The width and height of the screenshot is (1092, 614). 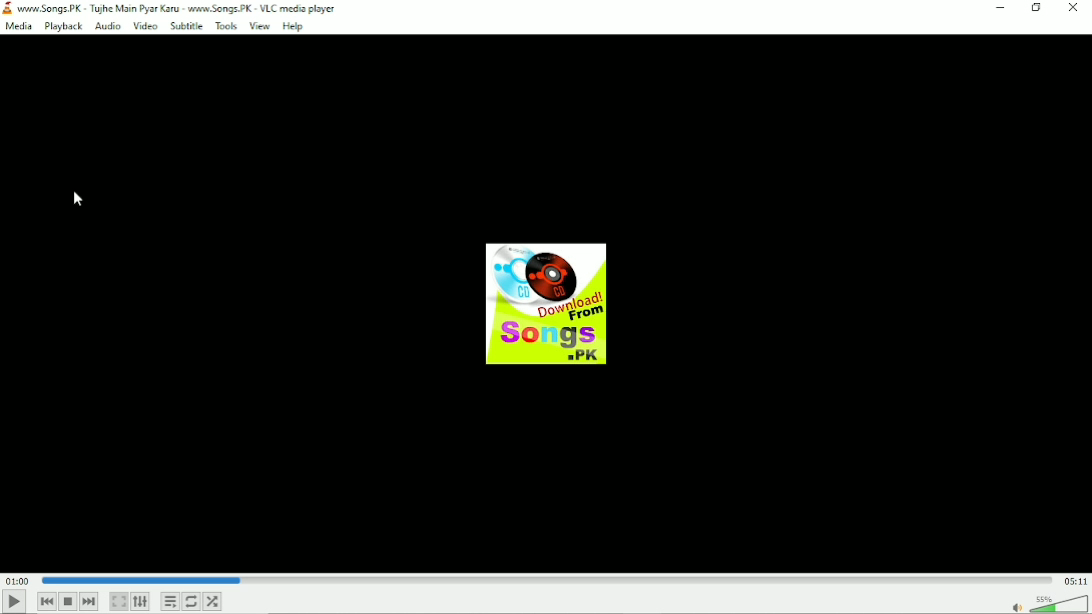 What do you see at coordinates (259, 26) in the screenshot?
I see `View` at bounding box center [259, 26].